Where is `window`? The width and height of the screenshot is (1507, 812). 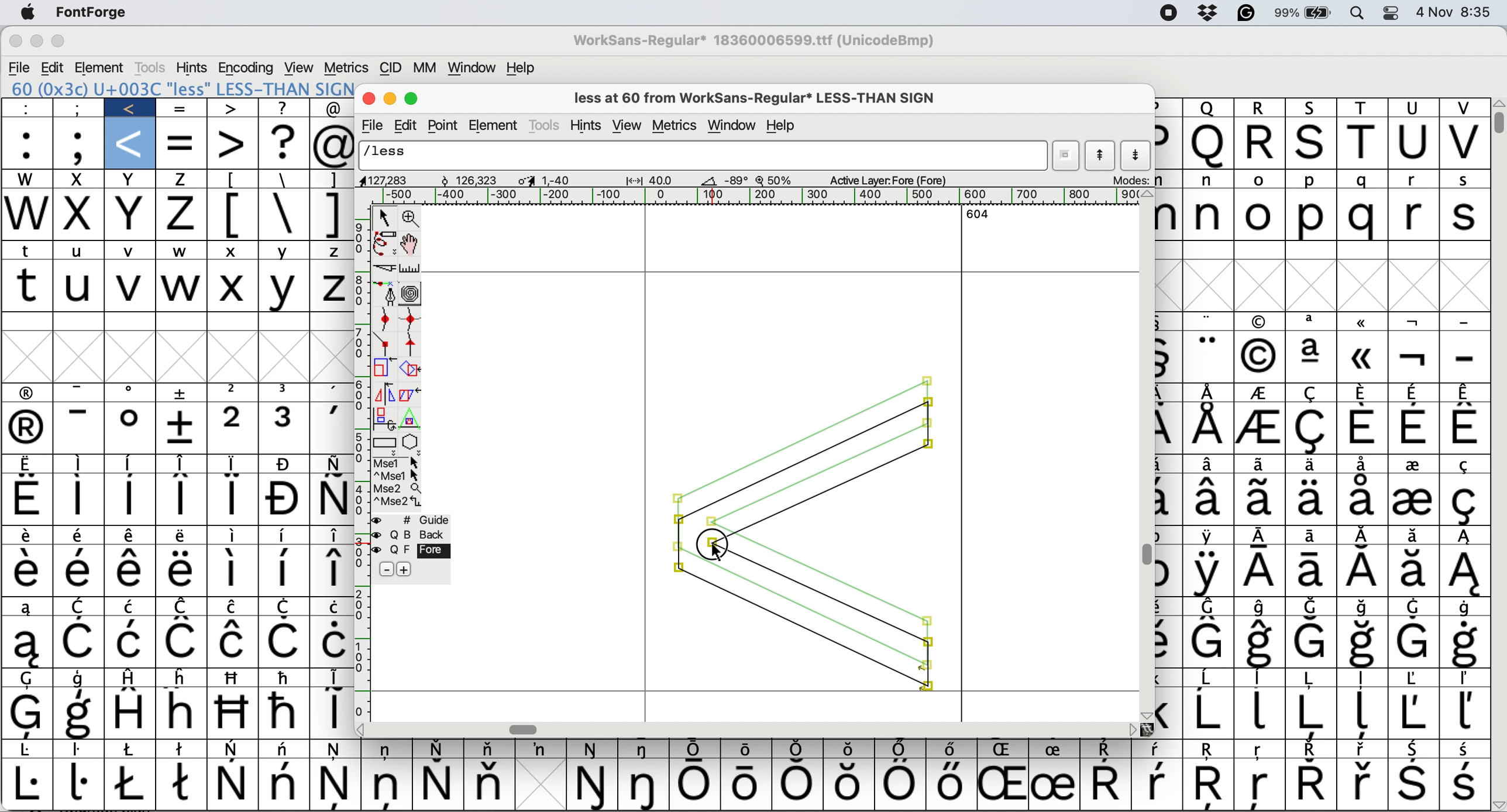
window is located at coordinates (473, 67).